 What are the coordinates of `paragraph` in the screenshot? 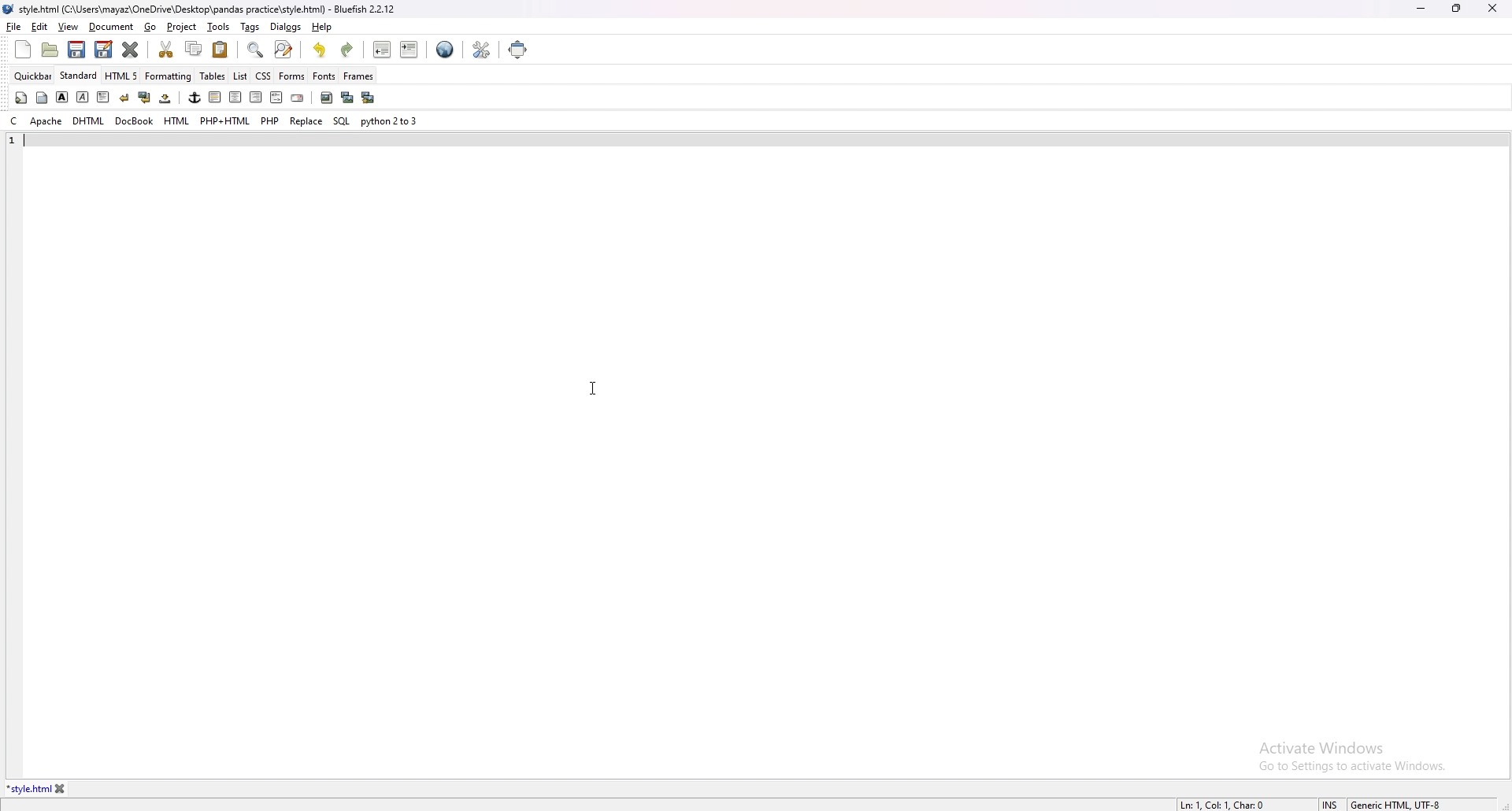 It's located at (102, 96).